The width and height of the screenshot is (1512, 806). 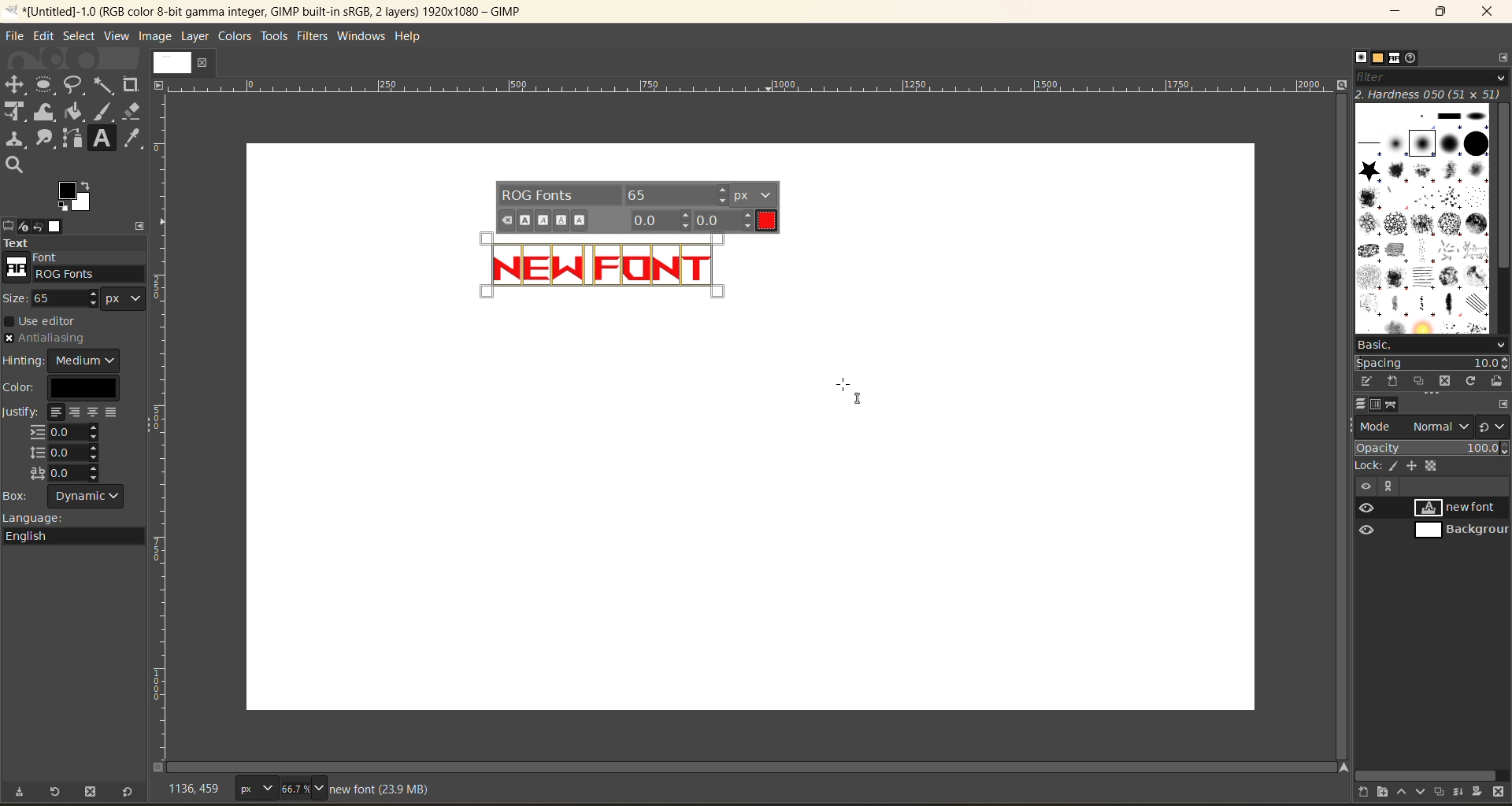 I want to click on active foreground/background color, so click(x=78, y=198).